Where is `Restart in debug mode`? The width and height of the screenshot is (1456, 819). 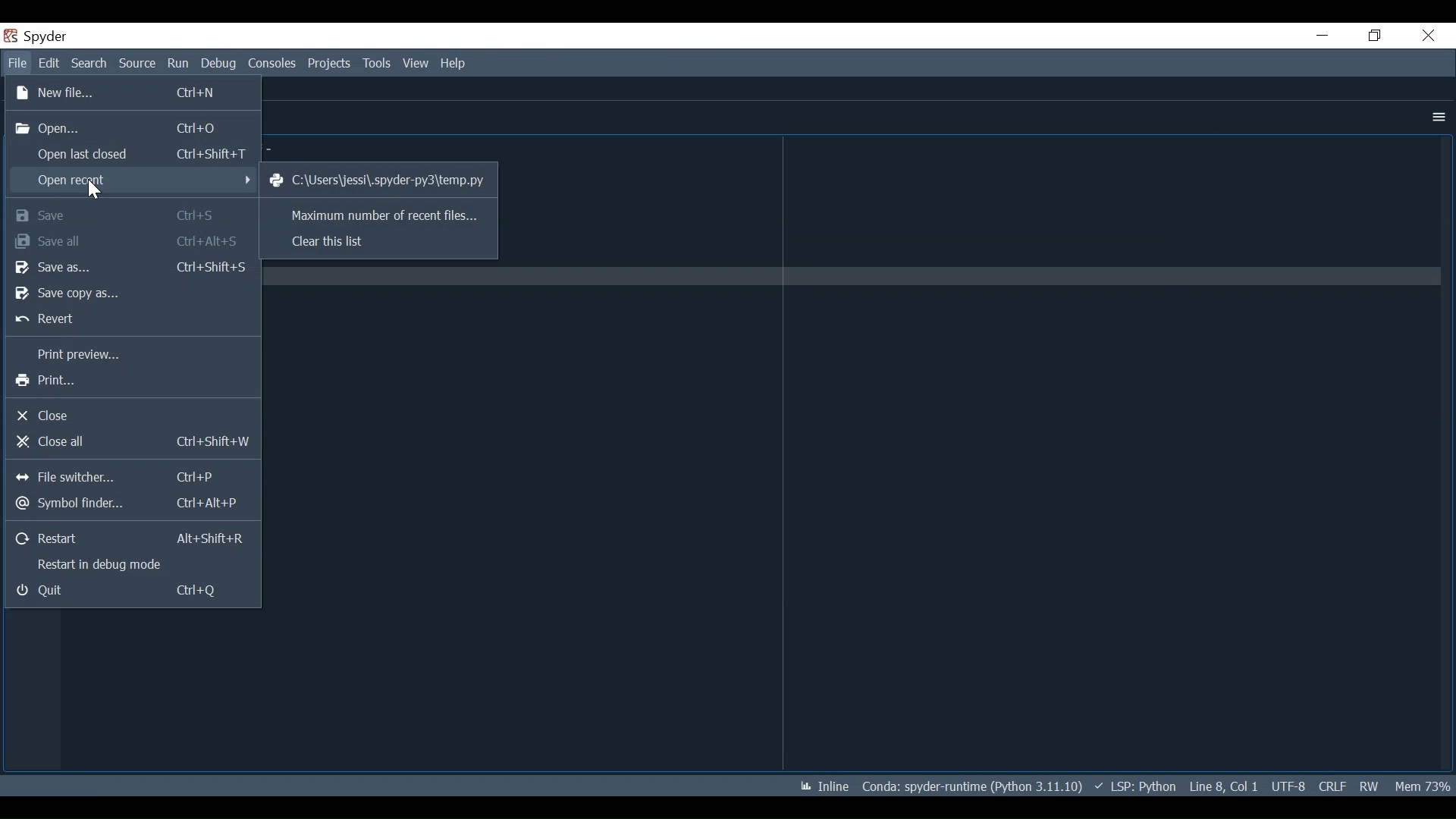 Restart in debug mode is located at coordinates (133, 564).